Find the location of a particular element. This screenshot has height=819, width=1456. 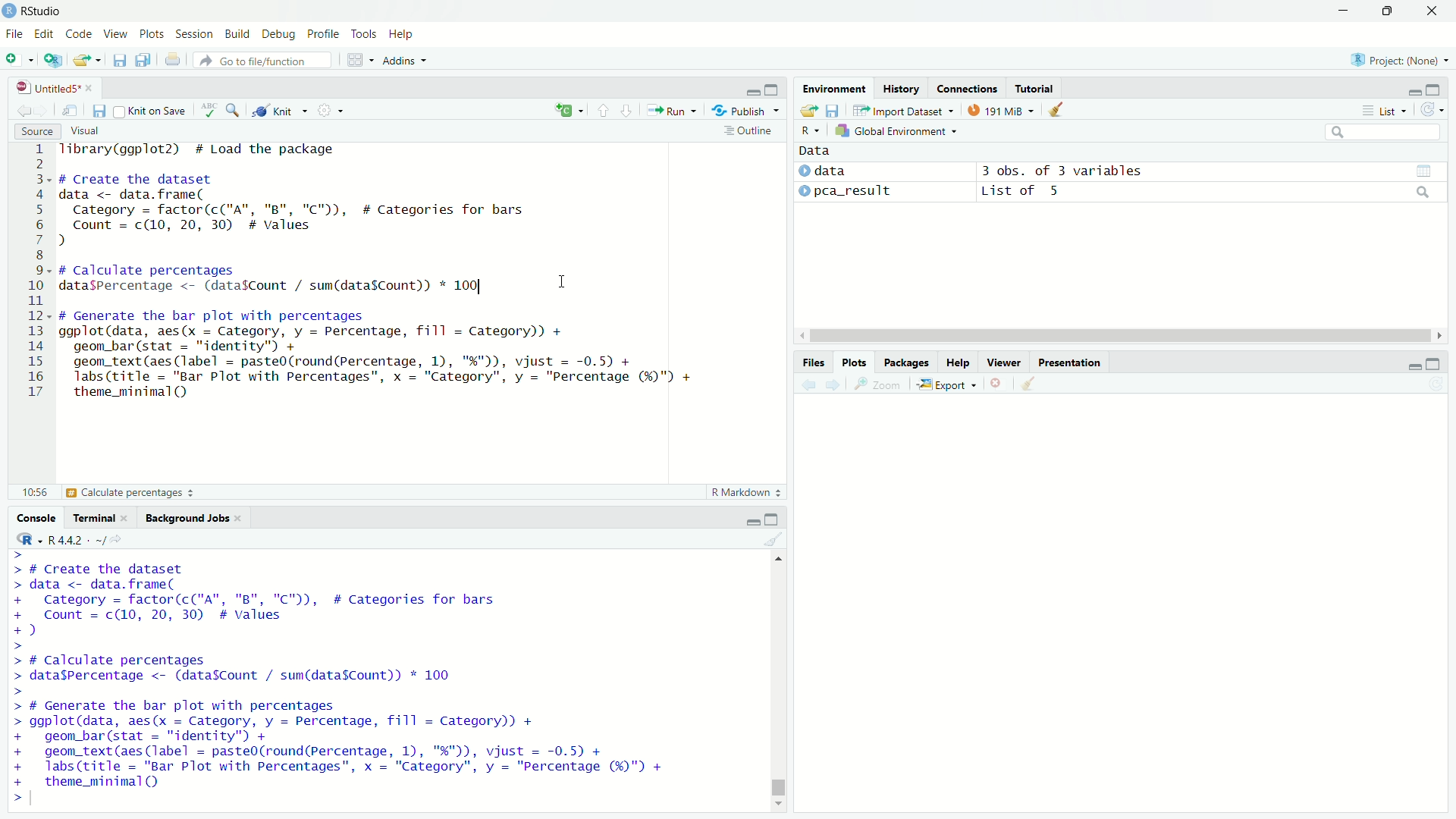

session is located at coordinates (197, 36).